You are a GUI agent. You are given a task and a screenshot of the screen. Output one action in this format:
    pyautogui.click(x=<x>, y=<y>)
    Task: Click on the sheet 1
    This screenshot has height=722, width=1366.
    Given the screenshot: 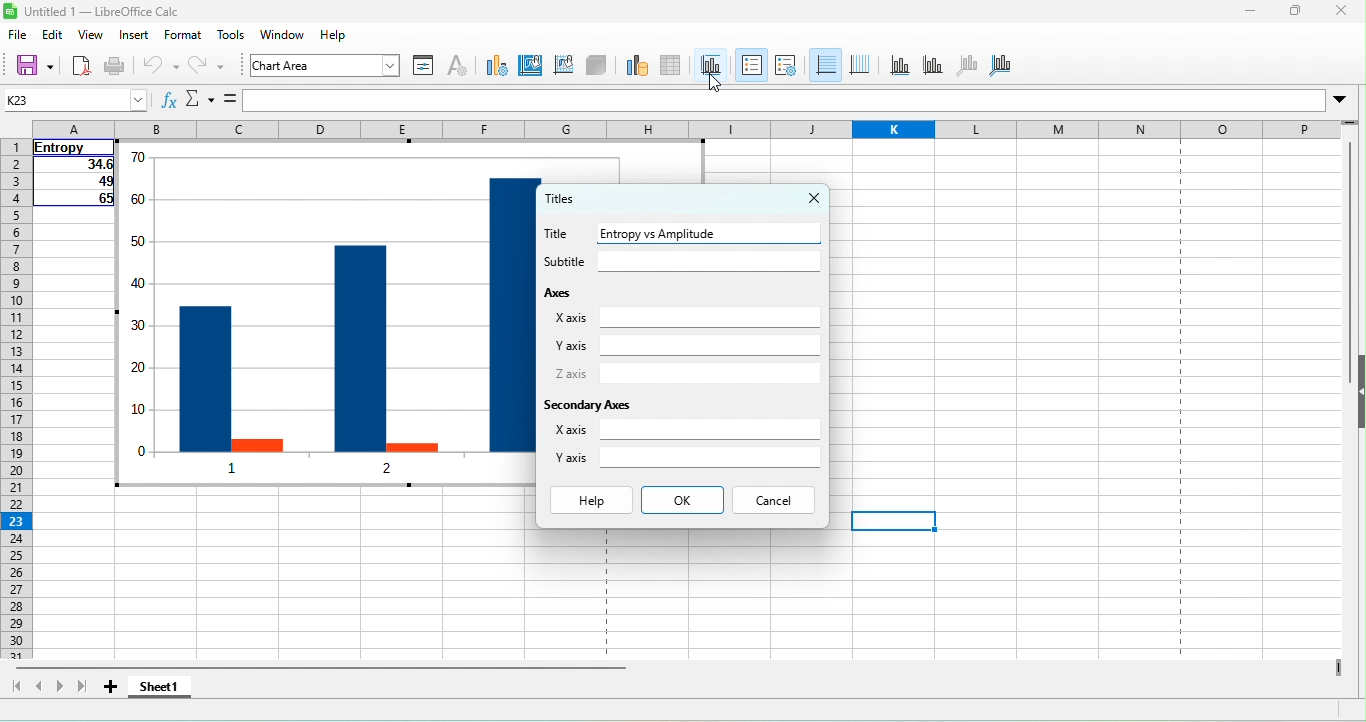 What is the action you would take?
    pyautogui.click(x=164, y=687)
    